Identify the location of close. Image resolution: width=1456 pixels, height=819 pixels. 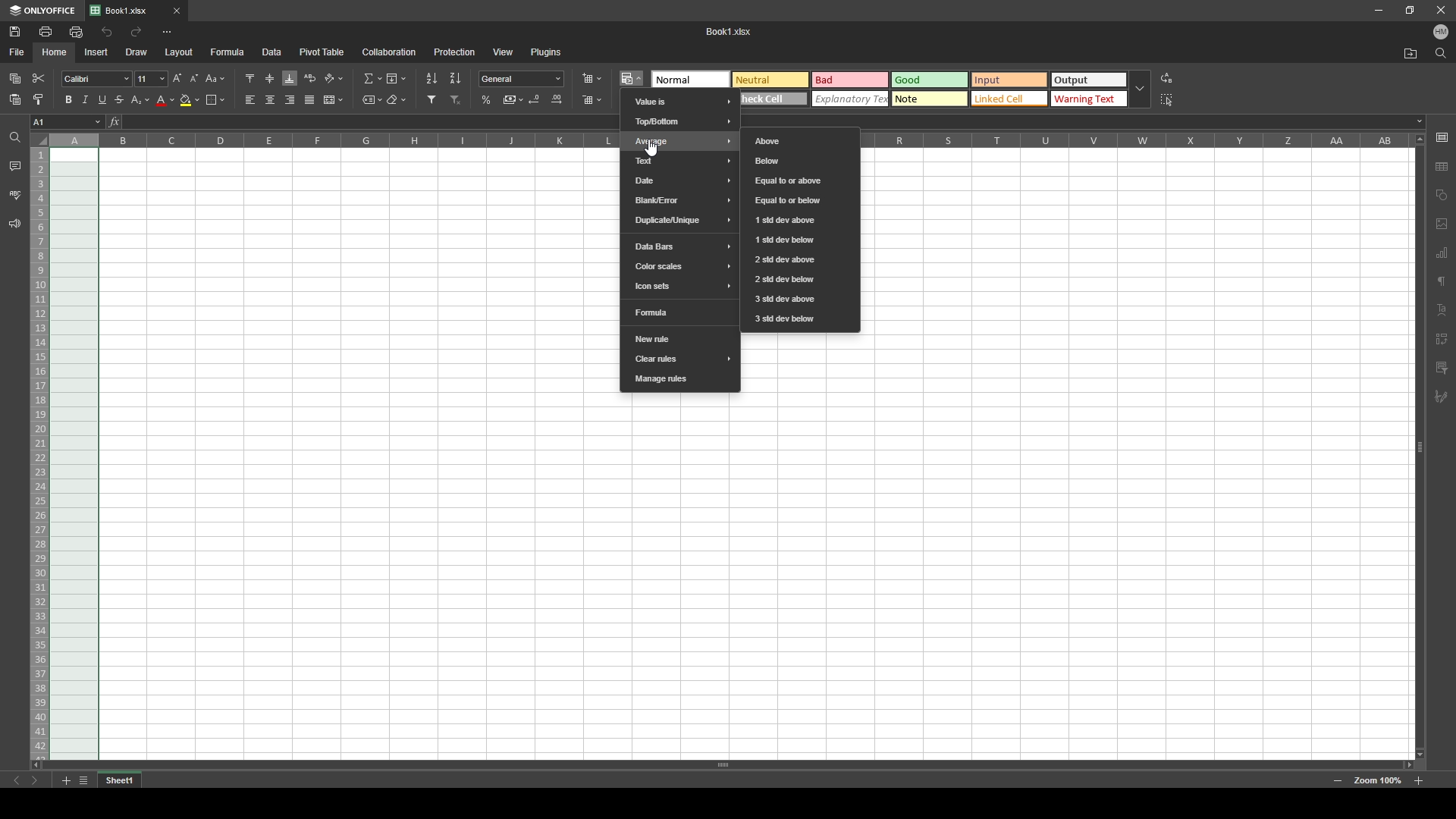
(1441, 11).